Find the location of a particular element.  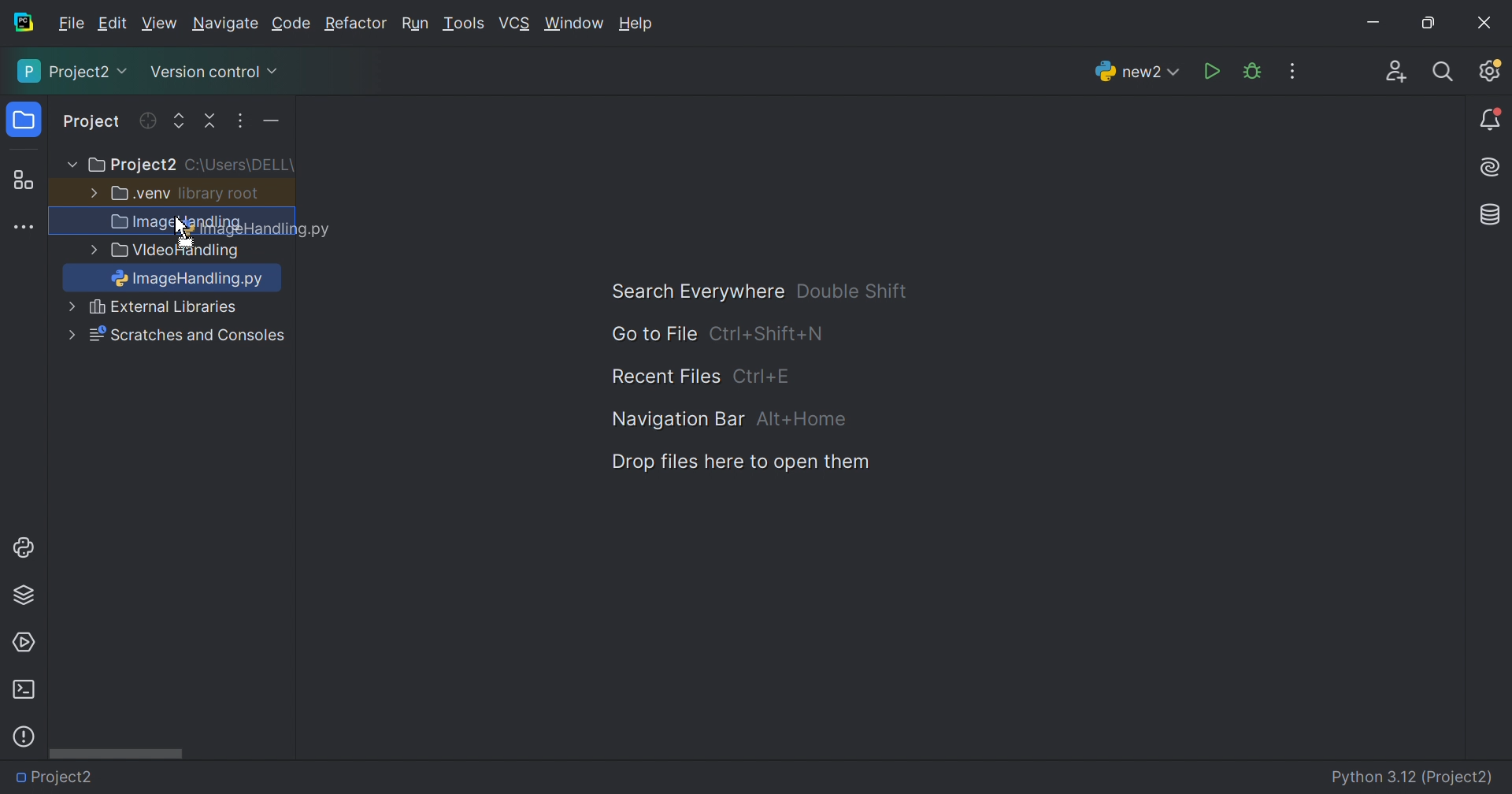

Python console is located at coordinates (26, 547).